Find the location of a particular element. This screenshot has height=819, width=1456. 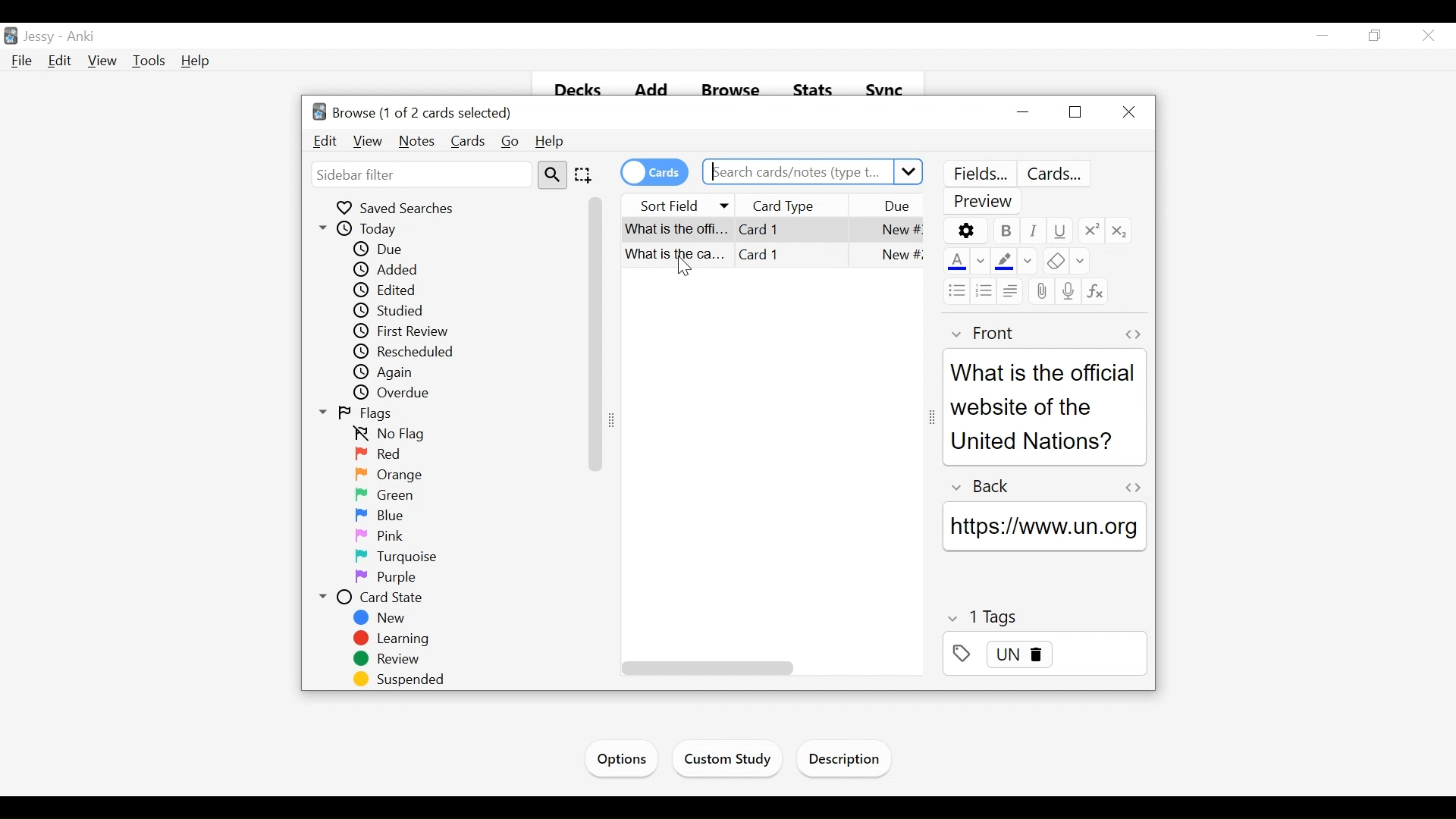

Change color is located at coordinates (1028, 262).